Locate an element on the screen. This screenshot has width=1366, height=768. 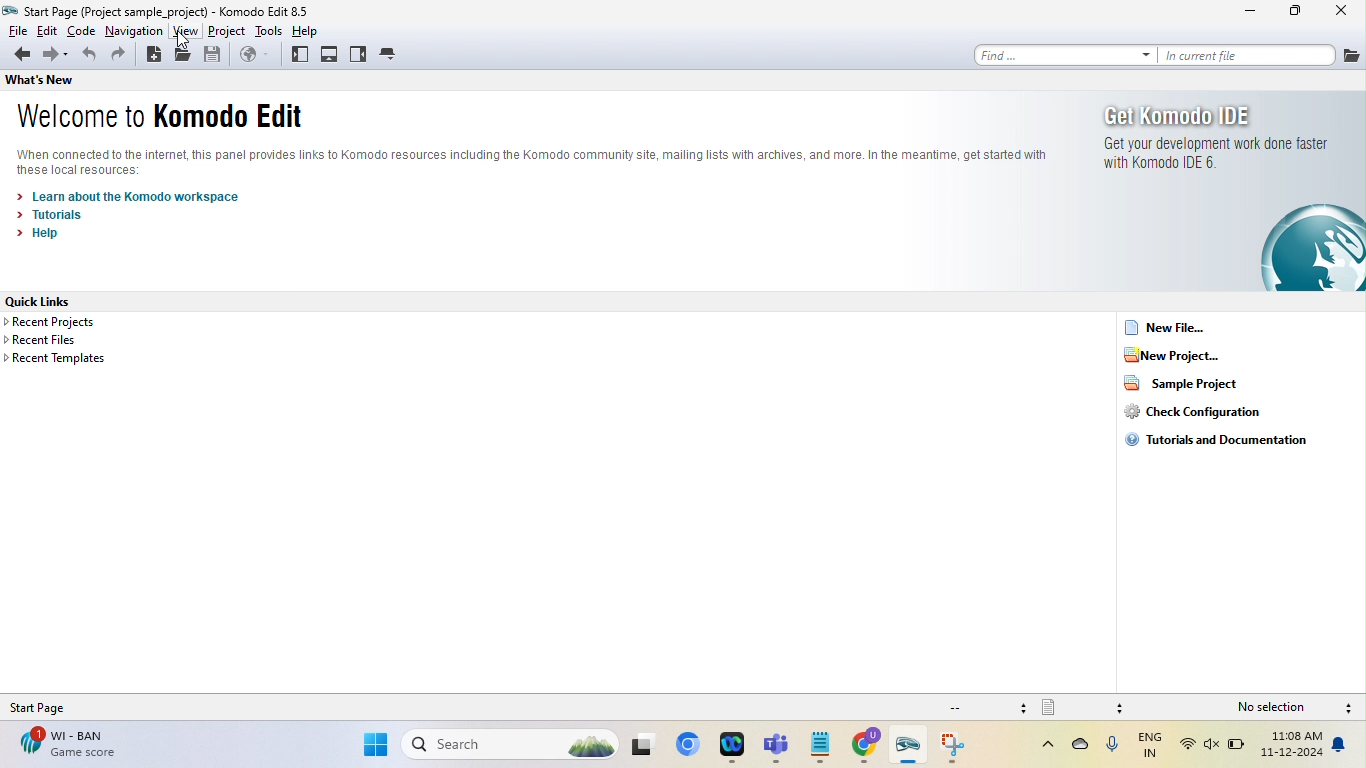
file type is located at coordinates (1085, 707).